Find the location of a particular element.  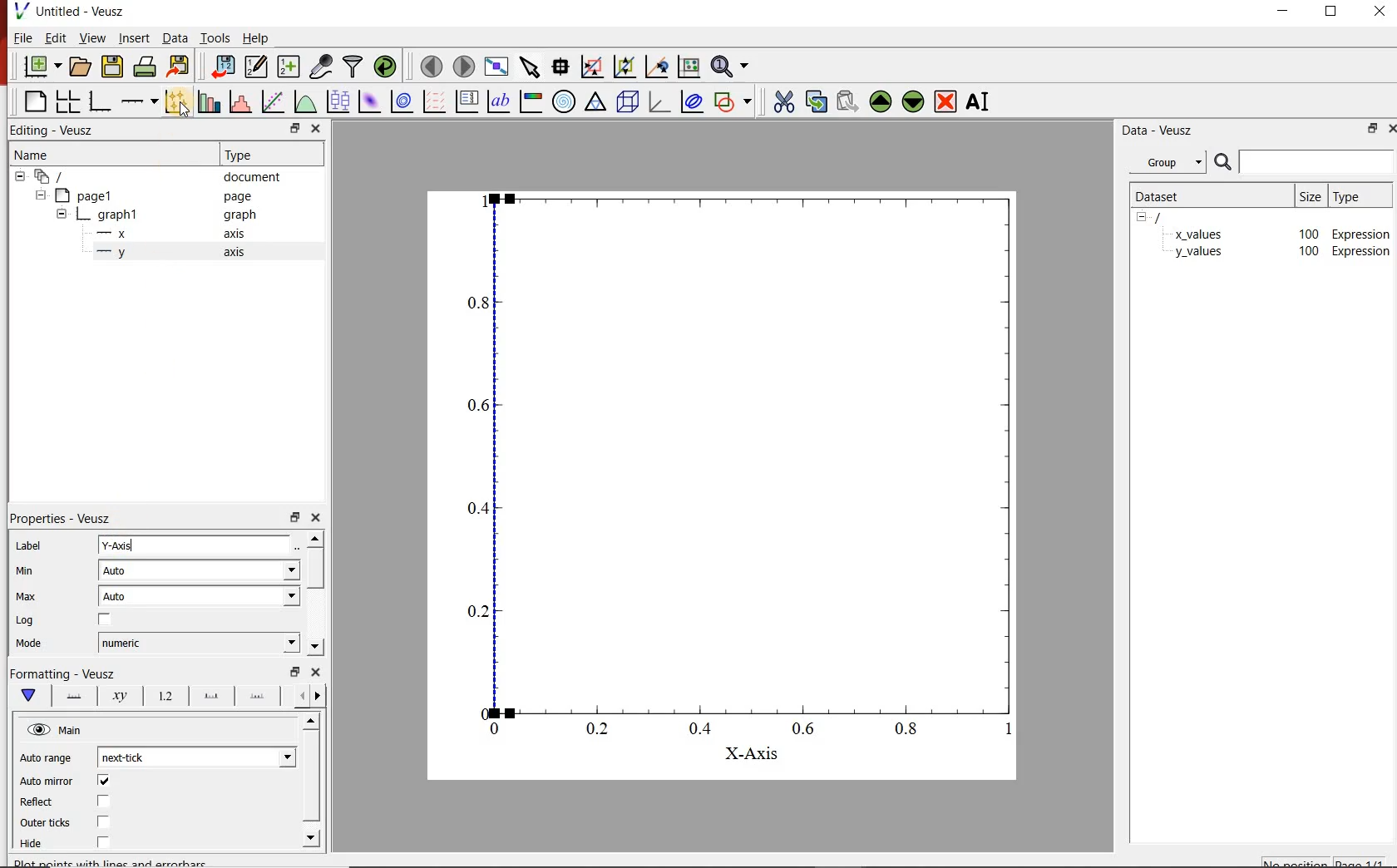

capture remote data is located at coordinates (321, 66).